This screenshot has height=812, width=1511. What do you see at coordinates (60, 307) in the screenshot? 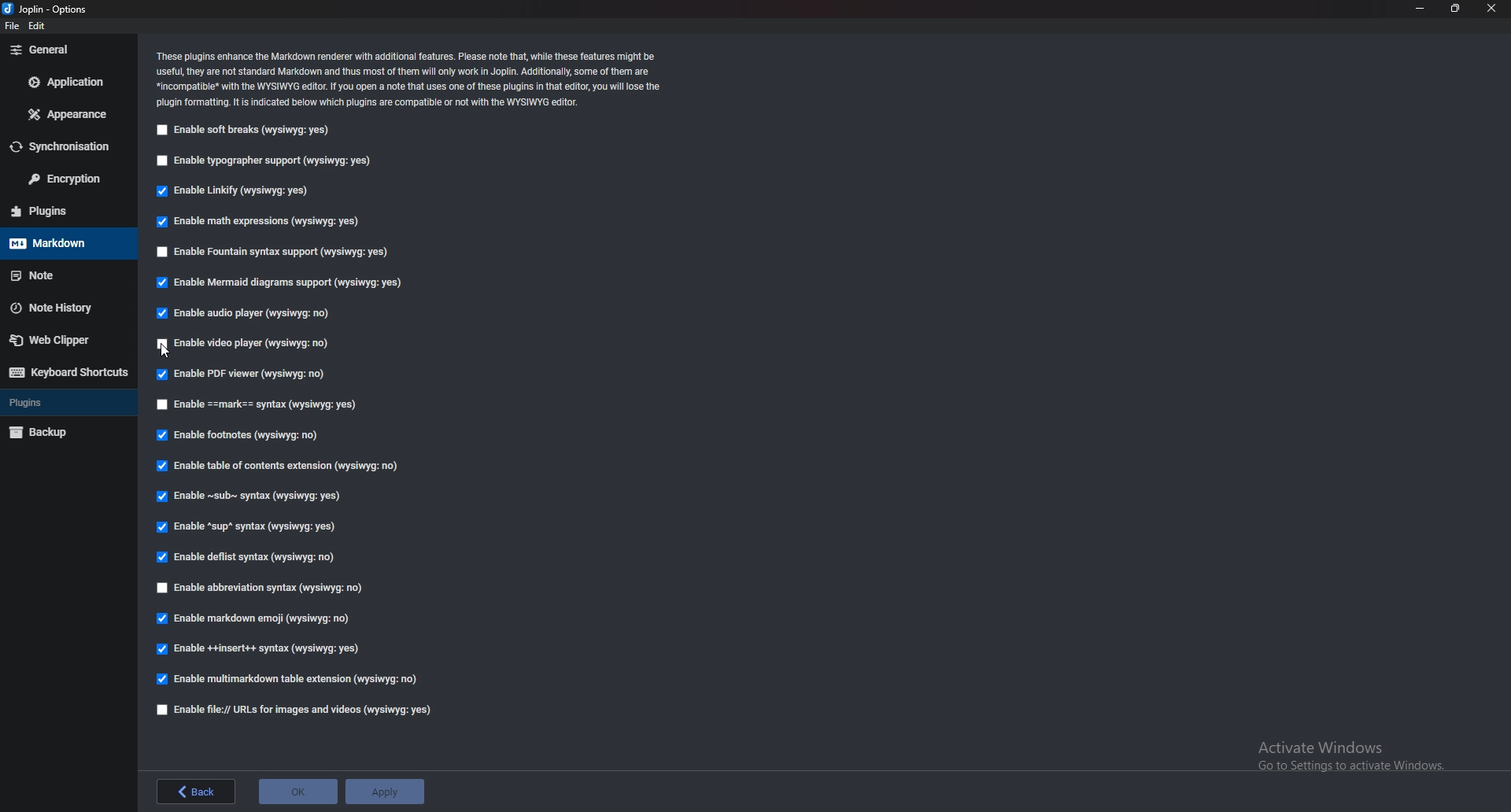
I see `Note history` at bounding box center [60, 307].